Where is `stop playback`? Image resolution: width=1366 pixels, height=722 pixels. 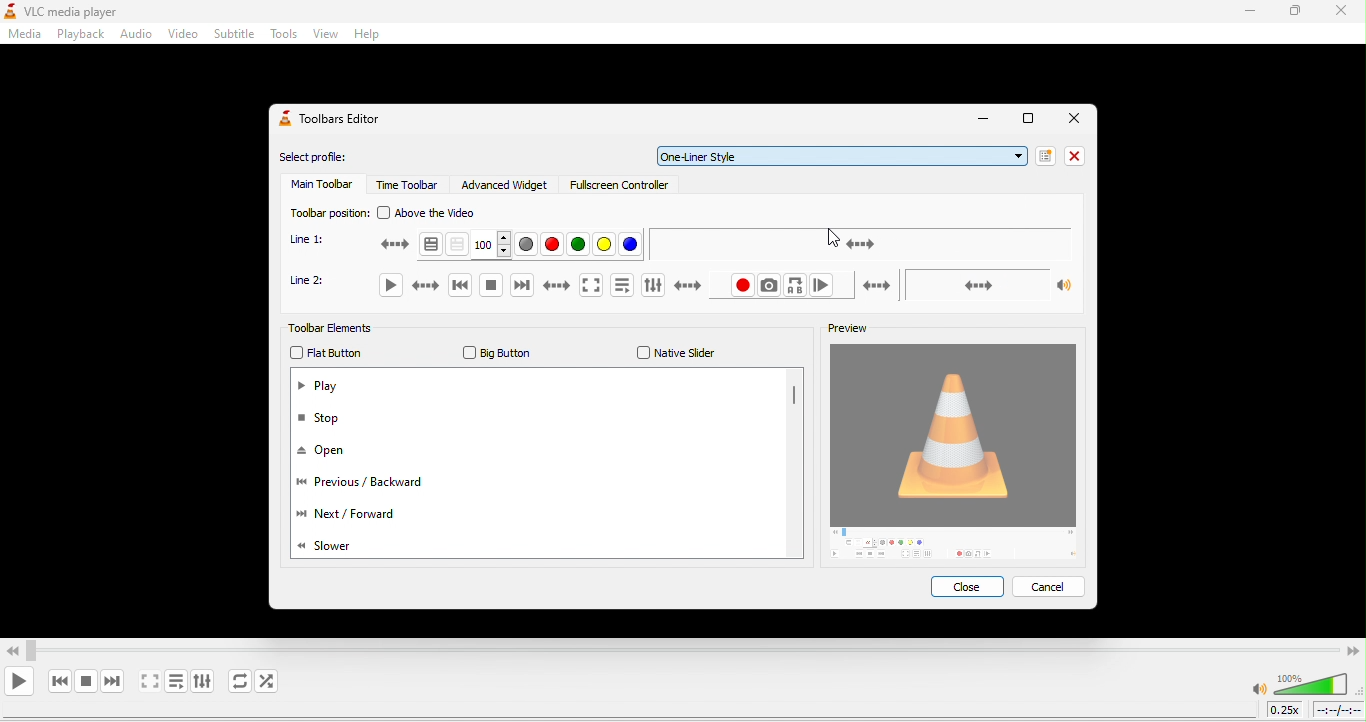 stop playback is located at coordinates (490, 282).